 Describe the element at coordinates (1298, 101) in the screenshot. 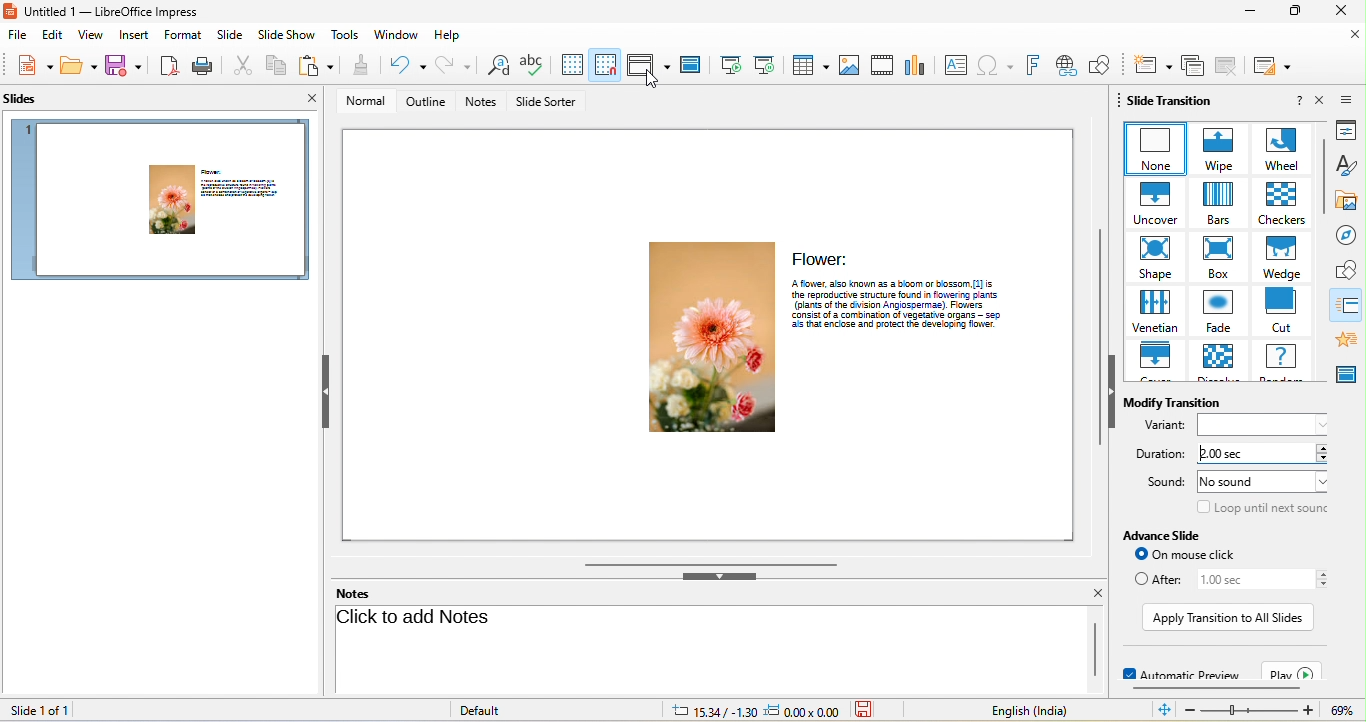

I see `help` at that location.